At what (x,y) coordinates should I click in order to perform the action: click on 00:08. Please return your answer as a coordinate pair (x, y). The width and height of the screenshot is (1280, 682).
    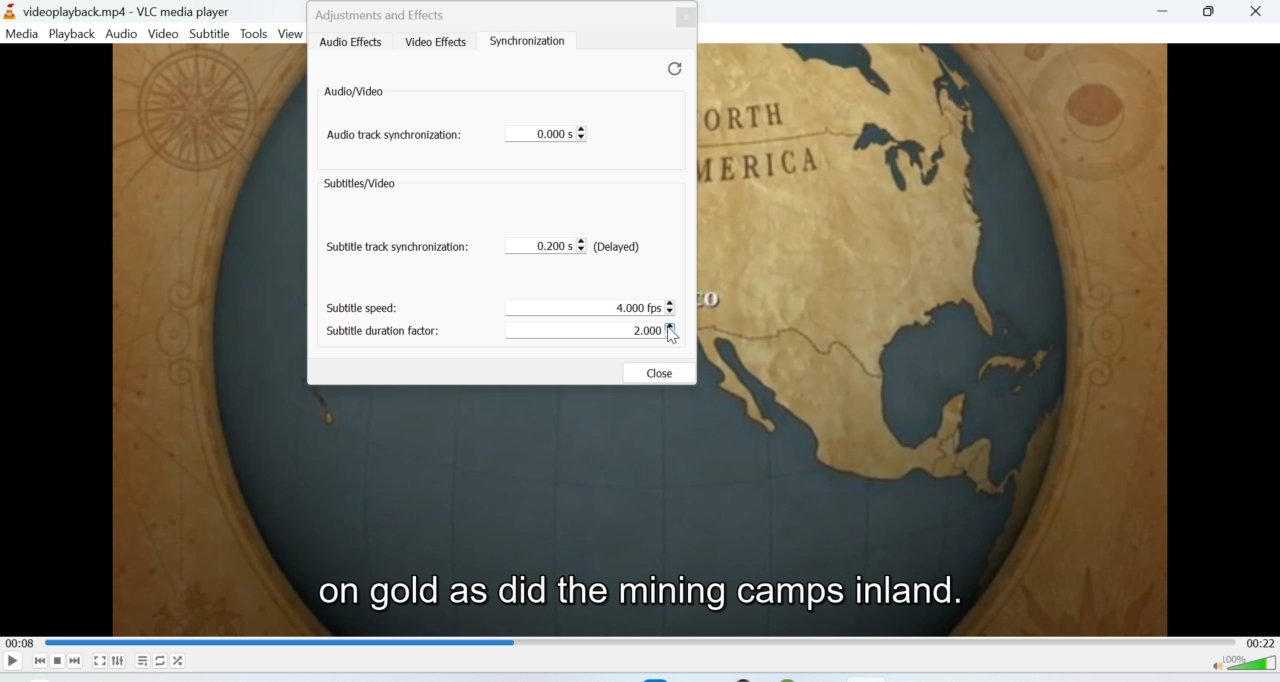
    Looking at the image, I should click on (20, 644).